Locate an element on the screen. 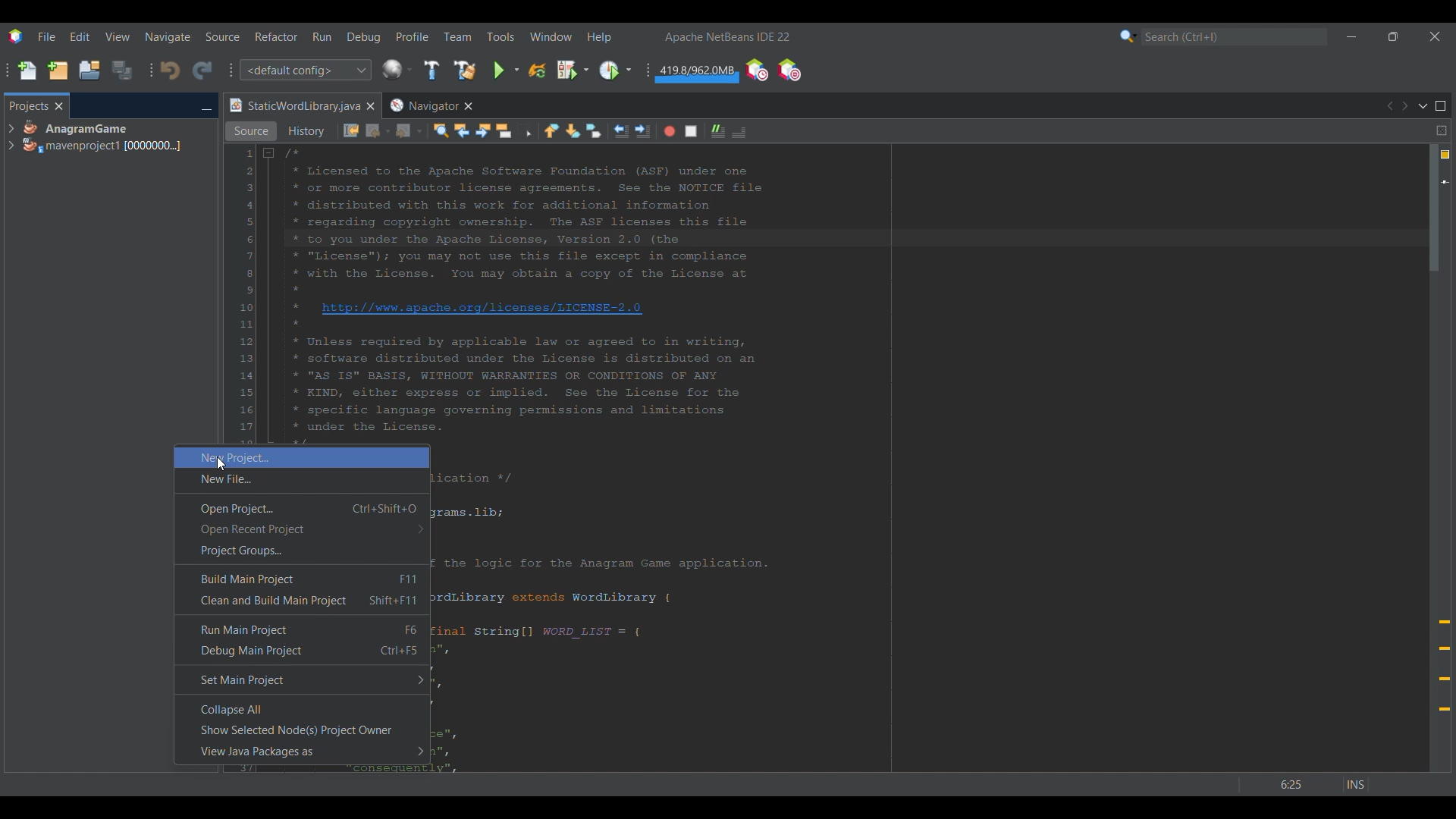  Show documents list is located at coordinates (1423, 105).